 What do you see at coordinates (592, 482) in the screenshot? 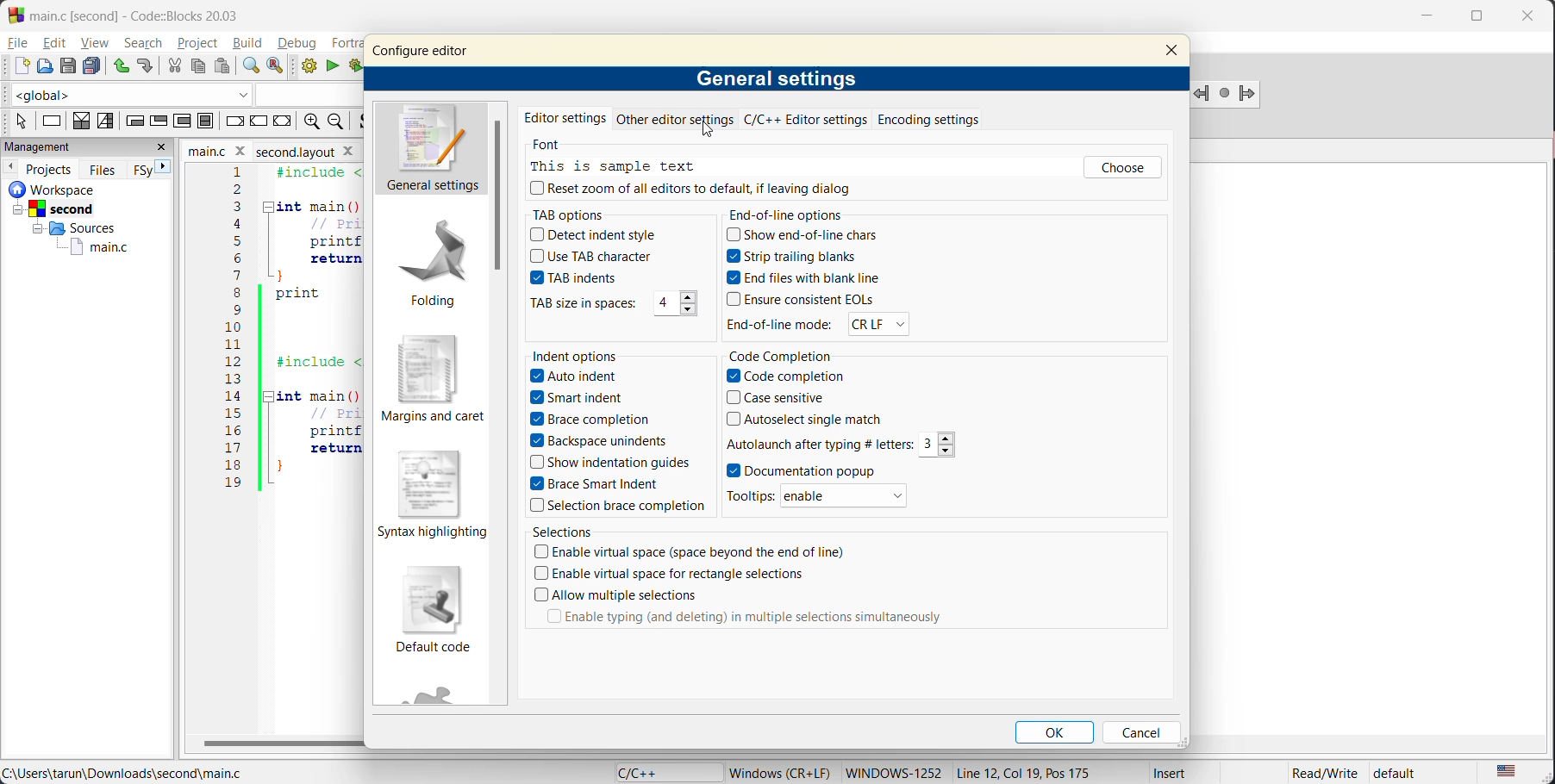
I see `Brace Smart Indent` at bounding box center [592, 482].